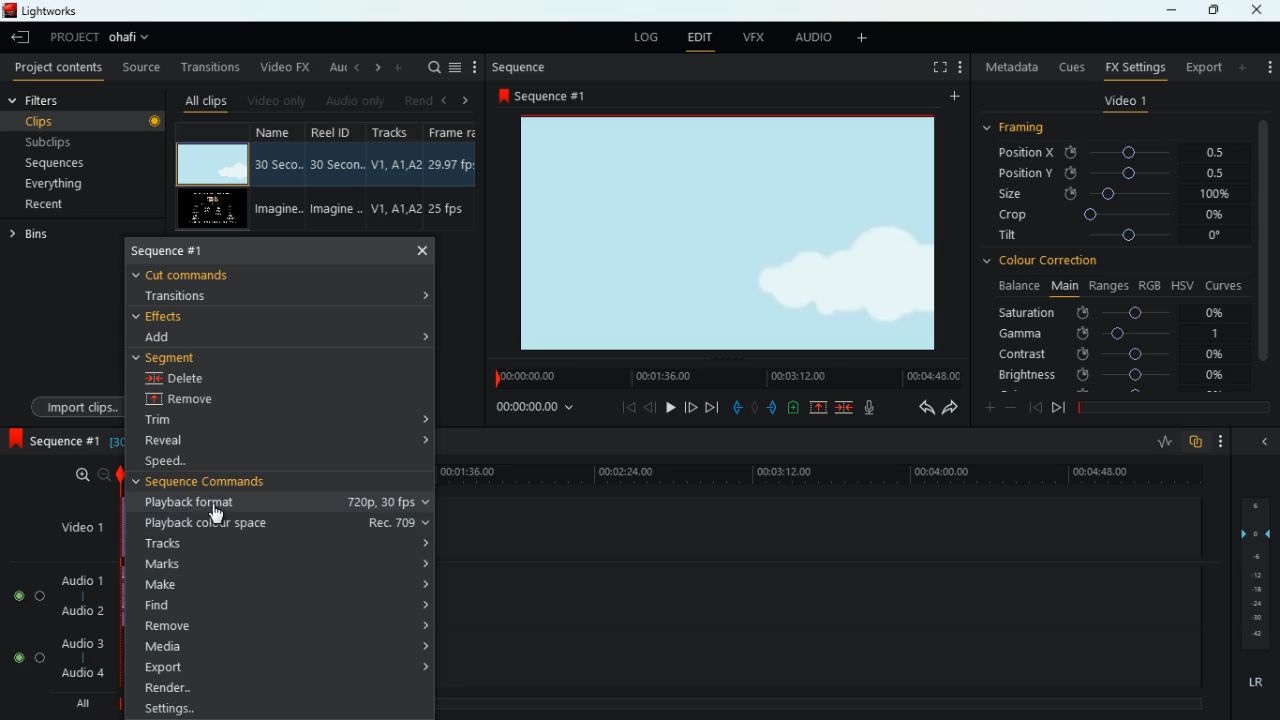  What do you see at coordinates (1008, 66) in the screenshot?
I see `metadata` at bounding box center [1008, 66].